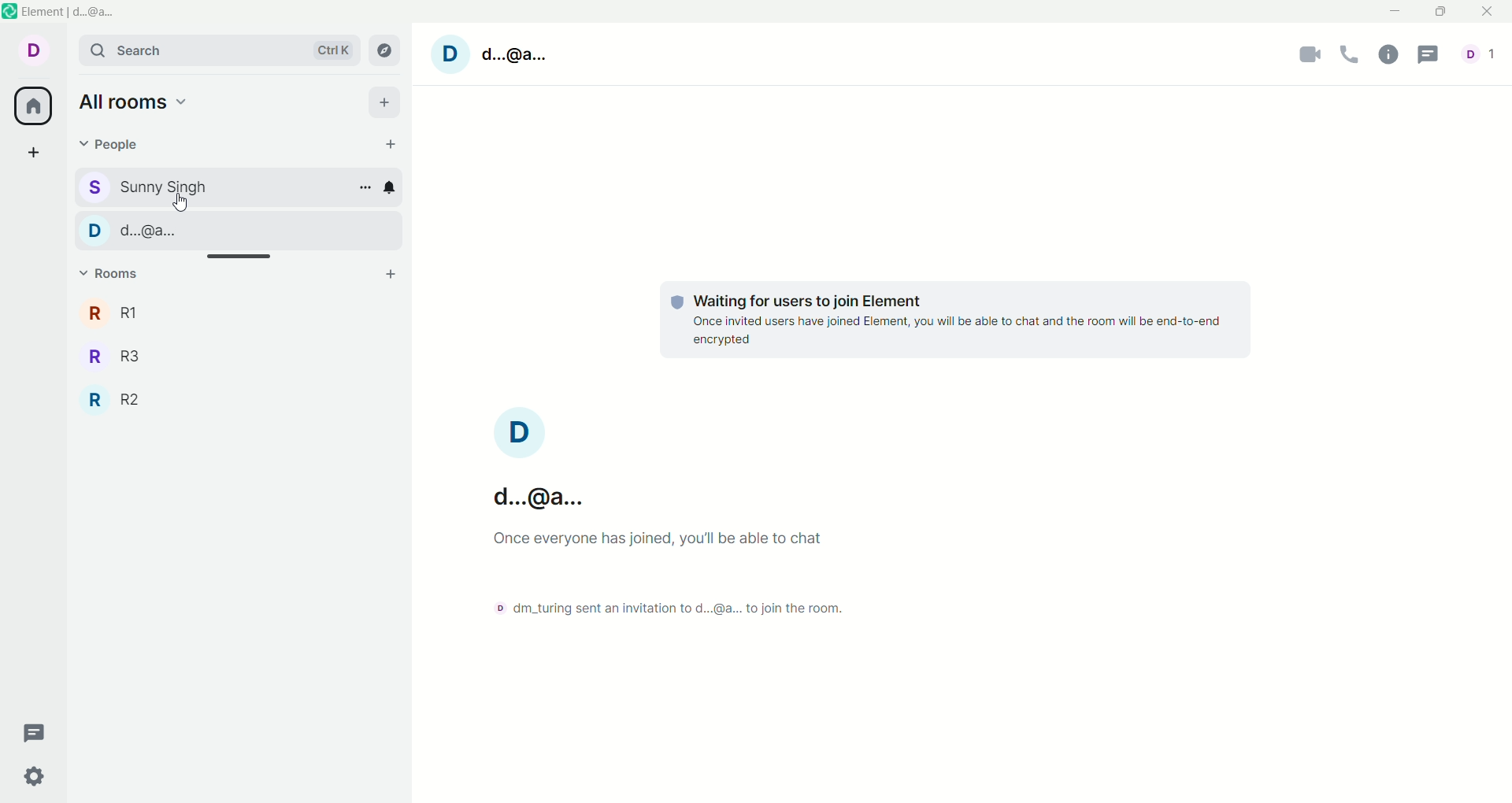 This screenshot has height=803, width=1512. What do you see at coordinates (112, 149) in the screenshot?
I see `people` at bounding box center [112, 149].